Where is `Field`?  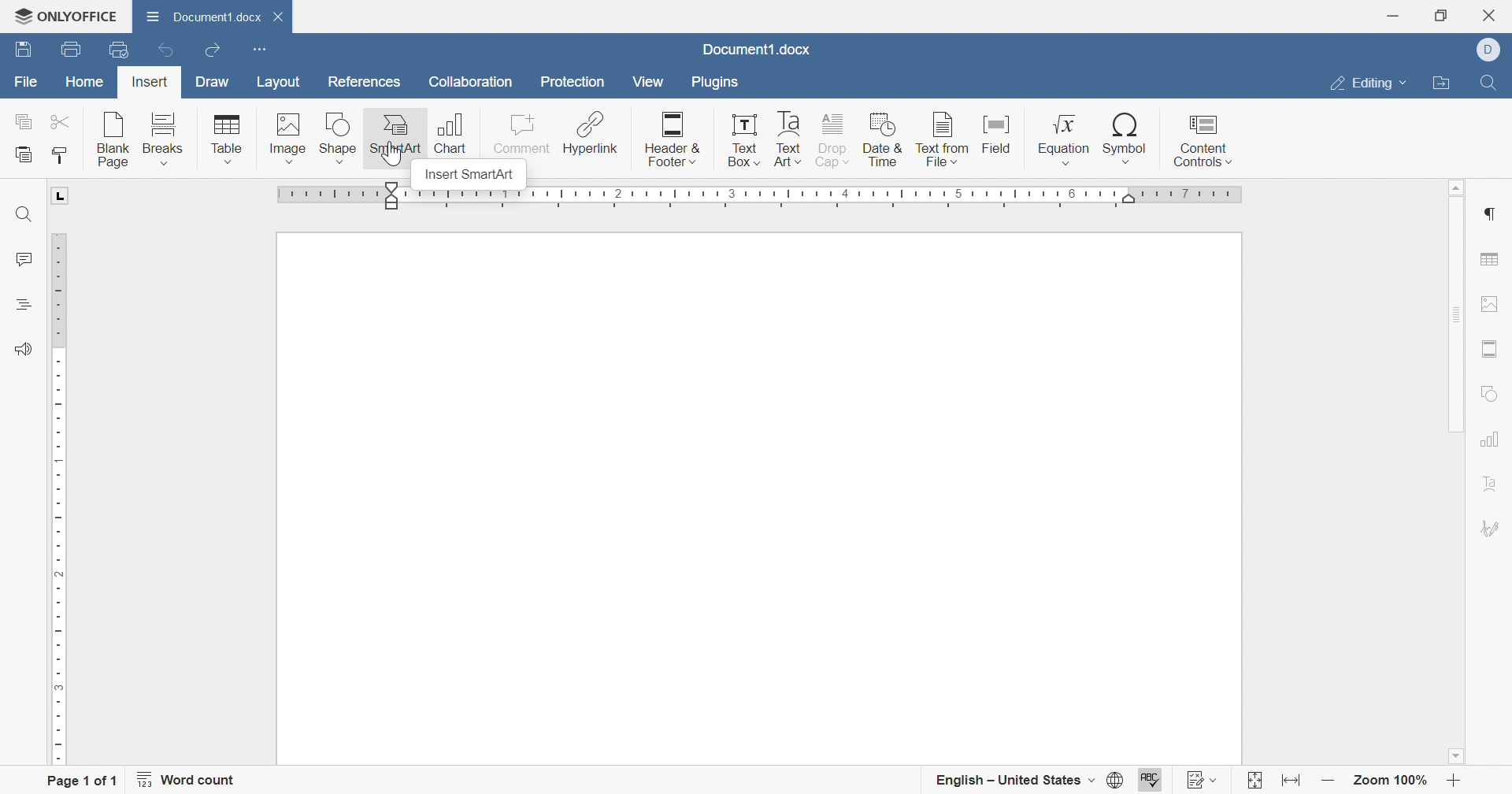
Field is located at coordinates (998, 139).